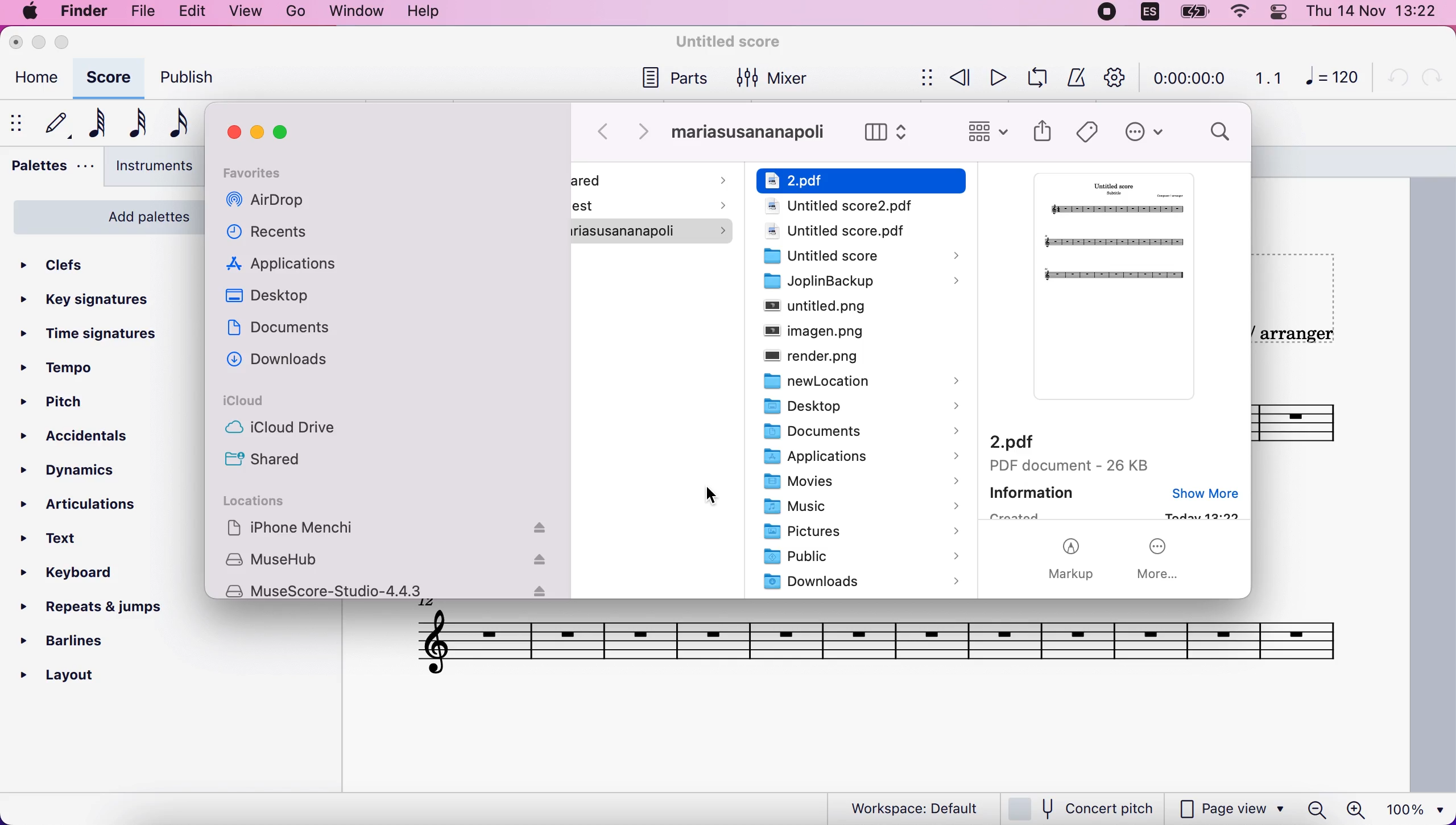  Describe the element at coordinates (175, 125) in the screenshot. I see `16th note` at that location.